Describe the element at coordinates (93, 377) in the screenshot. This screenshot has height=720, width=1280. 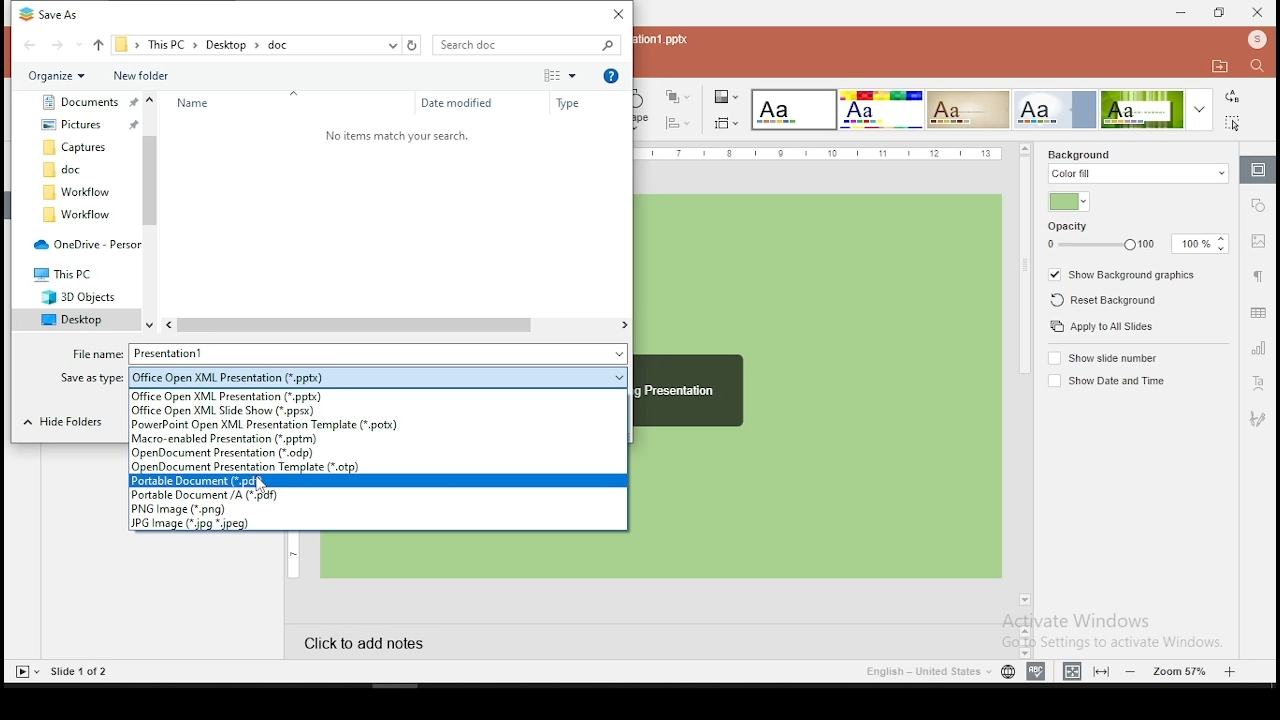
I see `save as type` at that location.